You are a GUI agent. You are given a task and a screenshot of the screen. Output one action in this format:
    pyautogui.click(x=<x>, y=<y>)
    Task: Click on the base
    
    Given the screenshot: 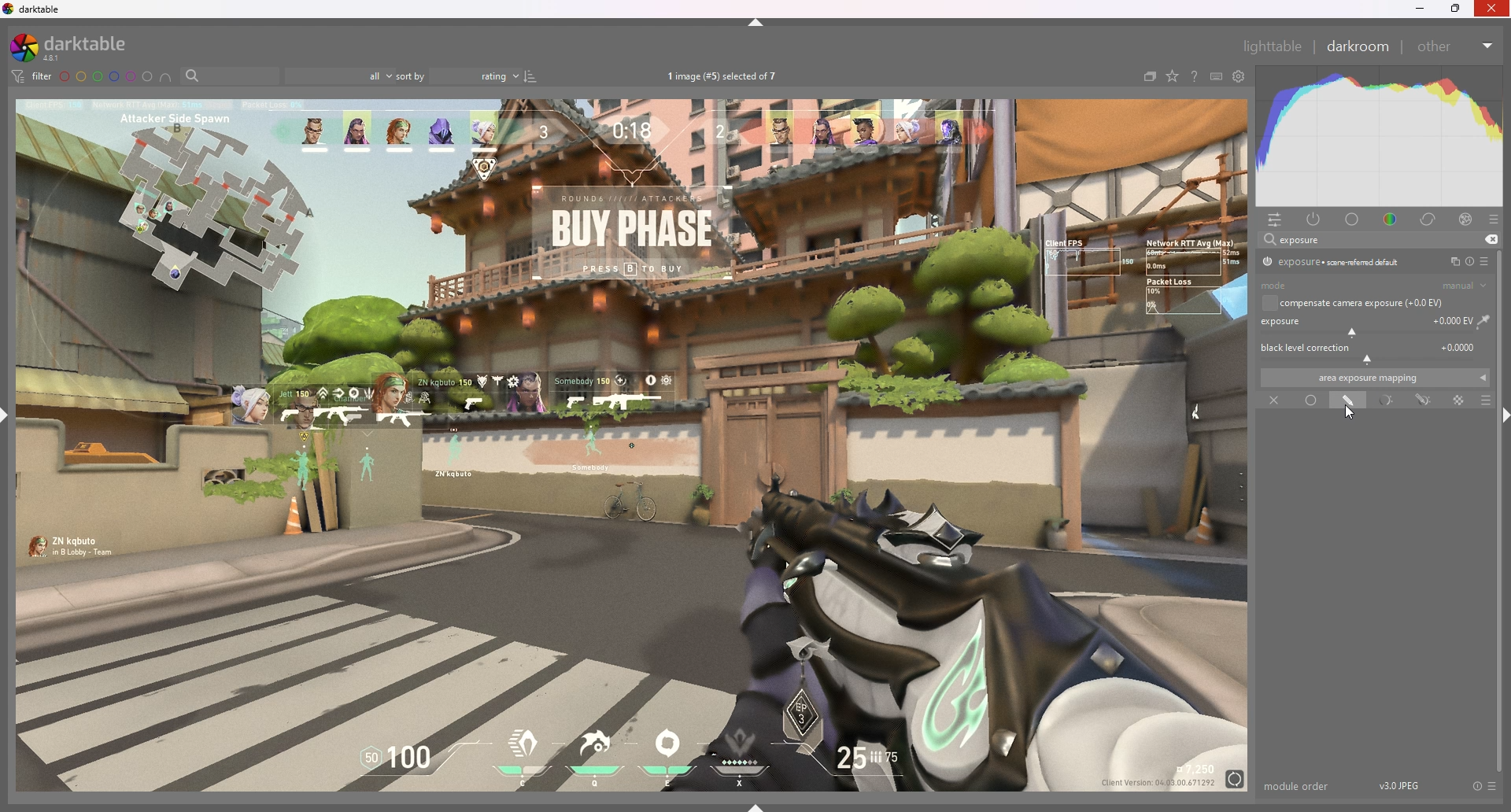 What is the action you would take?
    pyautogui.click(x=1353, y=220)
    